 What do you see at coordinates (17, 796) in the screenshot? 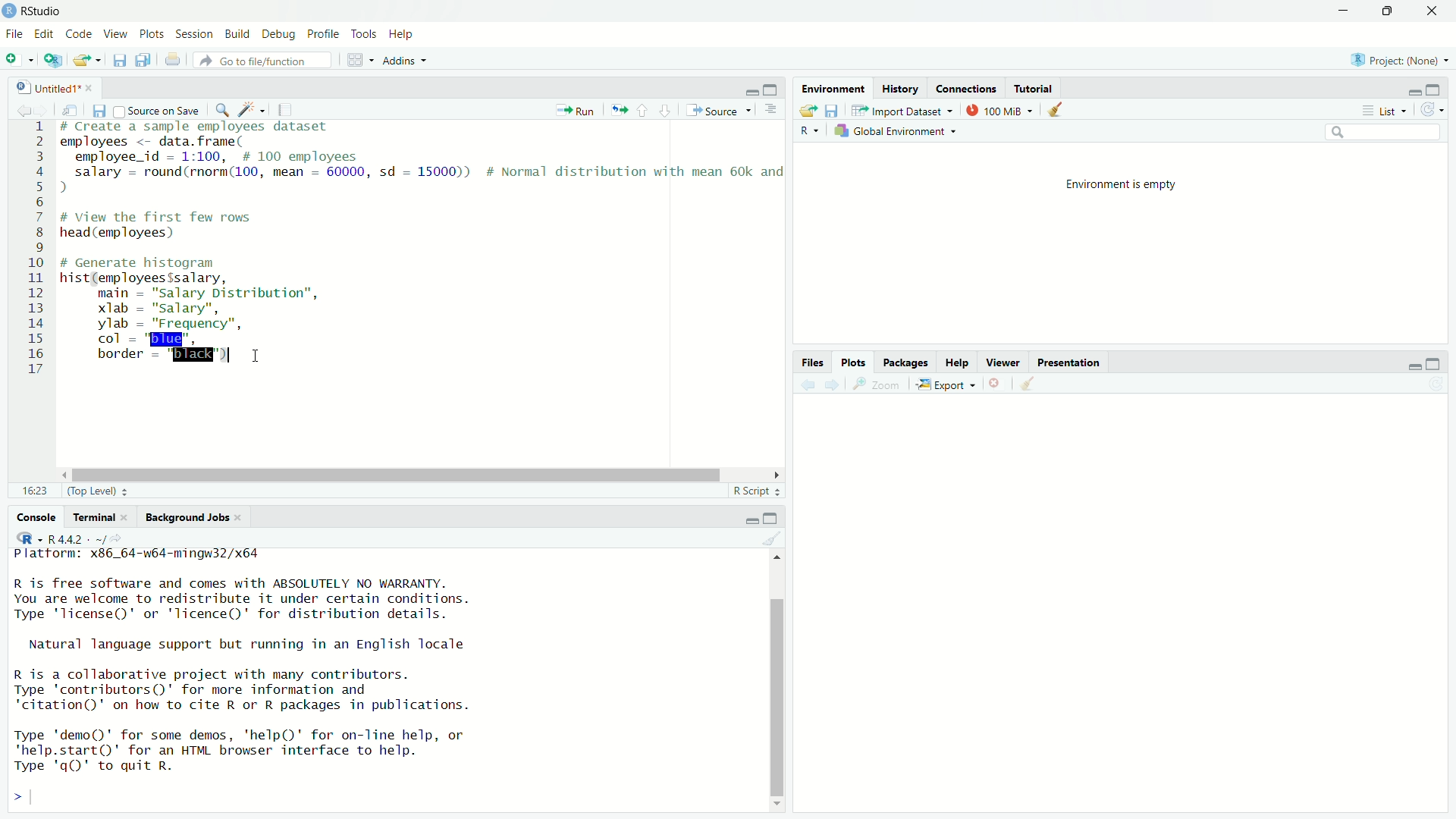
I see `Left expand` at bounding box center [17, 796].